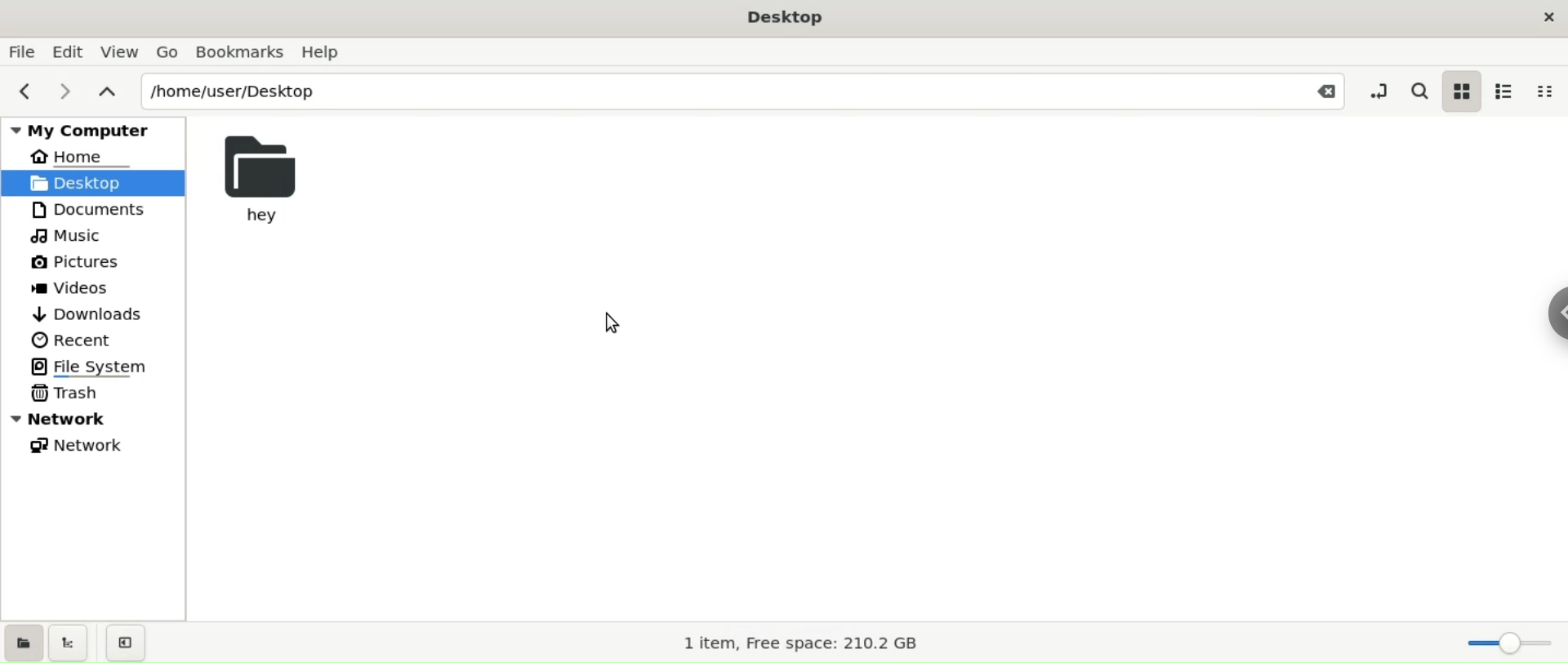 Image resolution: width=1568 pixels, height=663 pixels. What do you see at coordinates (1417, 90) in the screenshot?
I see `search` at bounding box center [1417, 90].